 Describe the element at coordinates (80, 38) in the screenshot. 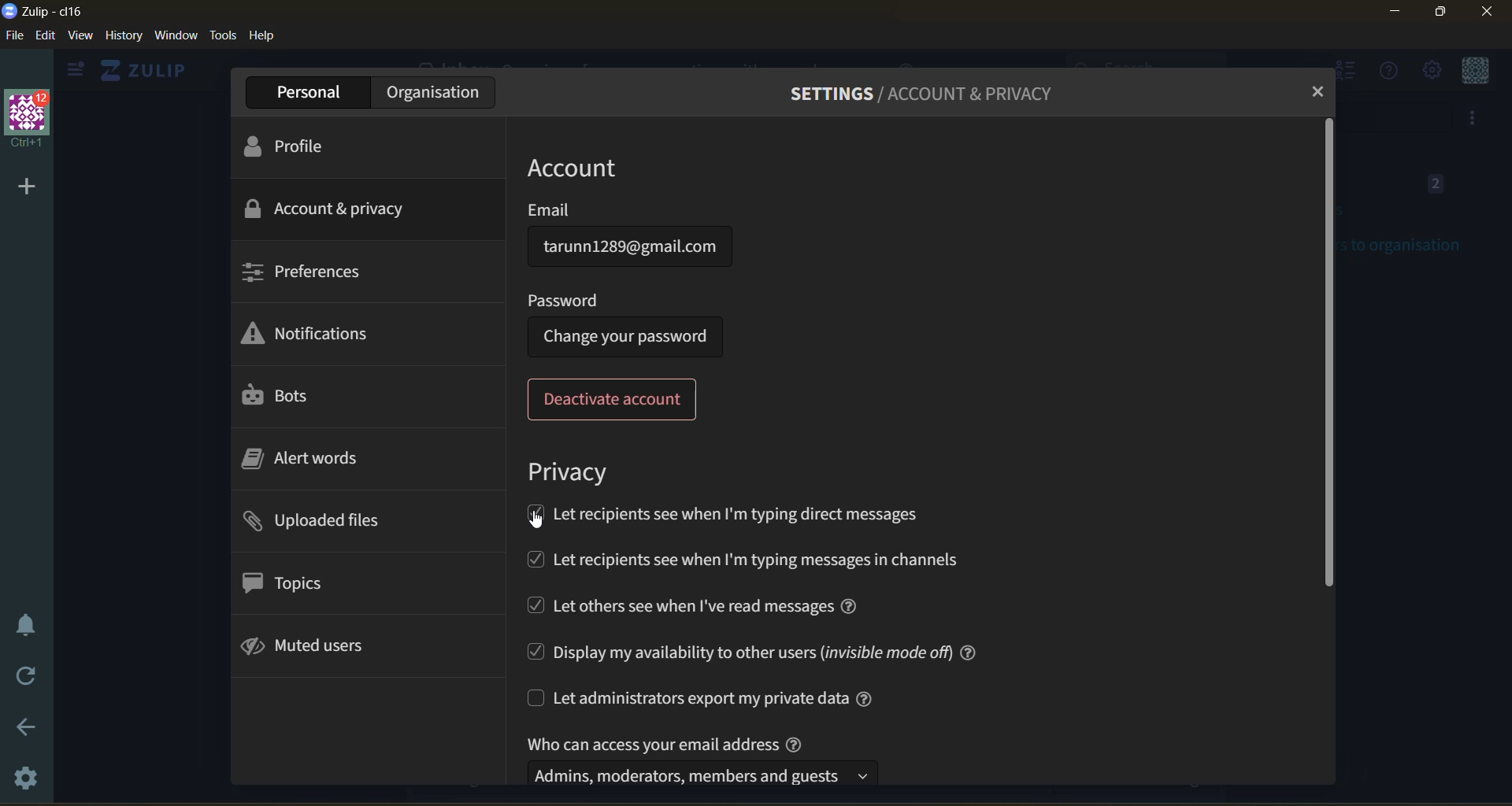

I see `view` at that location.